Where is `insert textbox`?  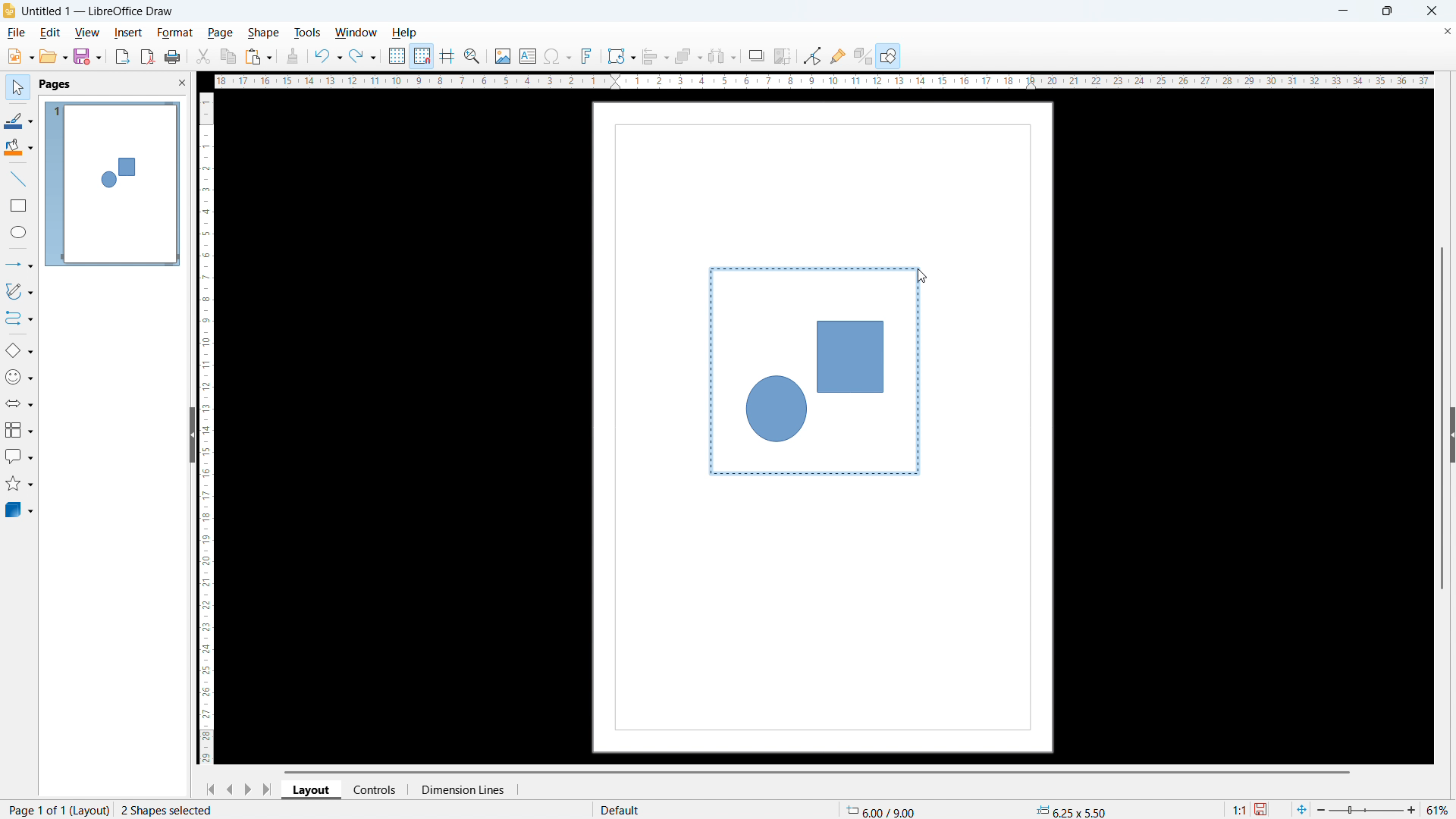 insert textbox is located at coordinates (528, 55).